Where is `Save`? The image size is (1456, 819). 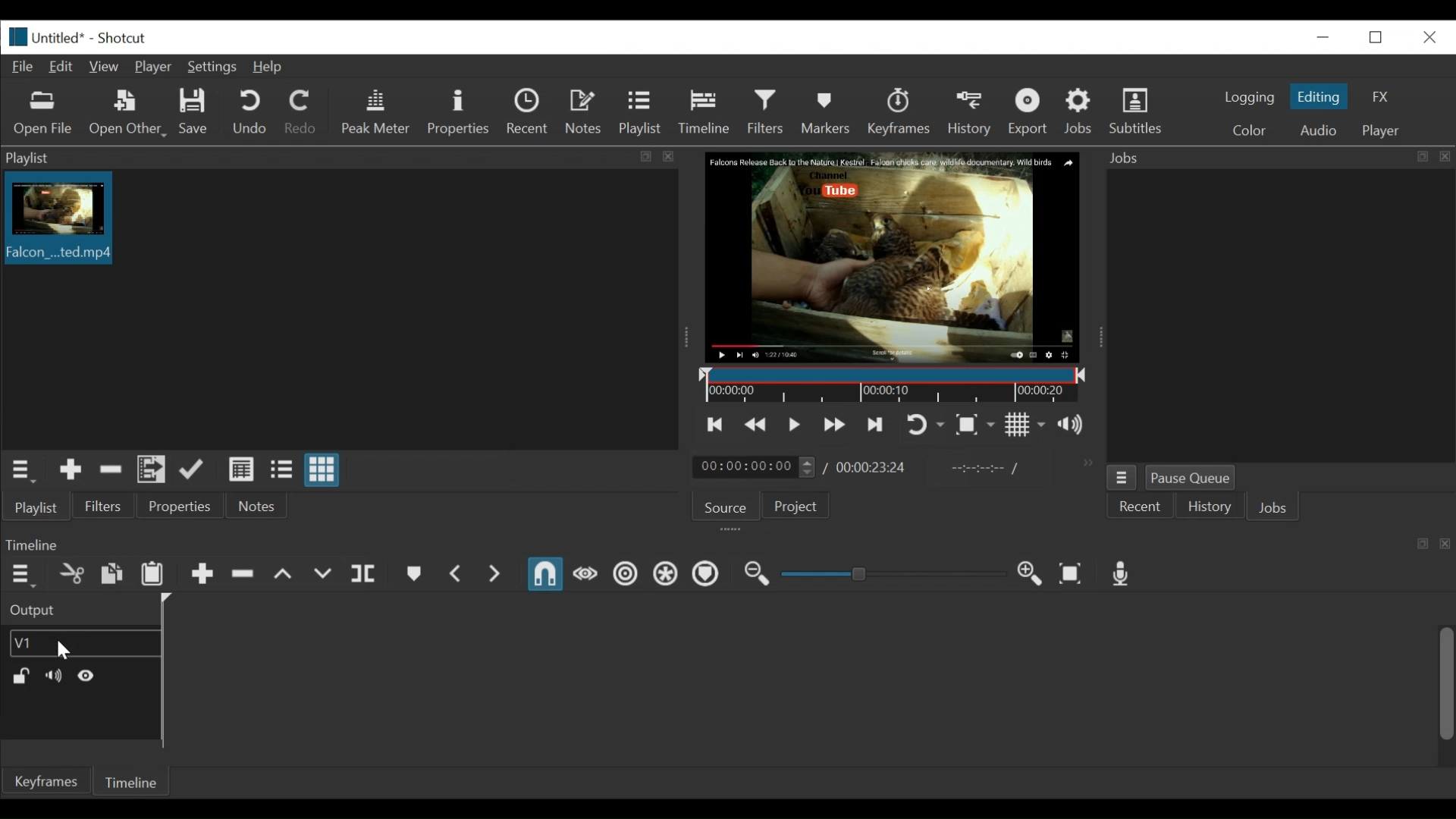
Save is located at coordinates (197, 111).